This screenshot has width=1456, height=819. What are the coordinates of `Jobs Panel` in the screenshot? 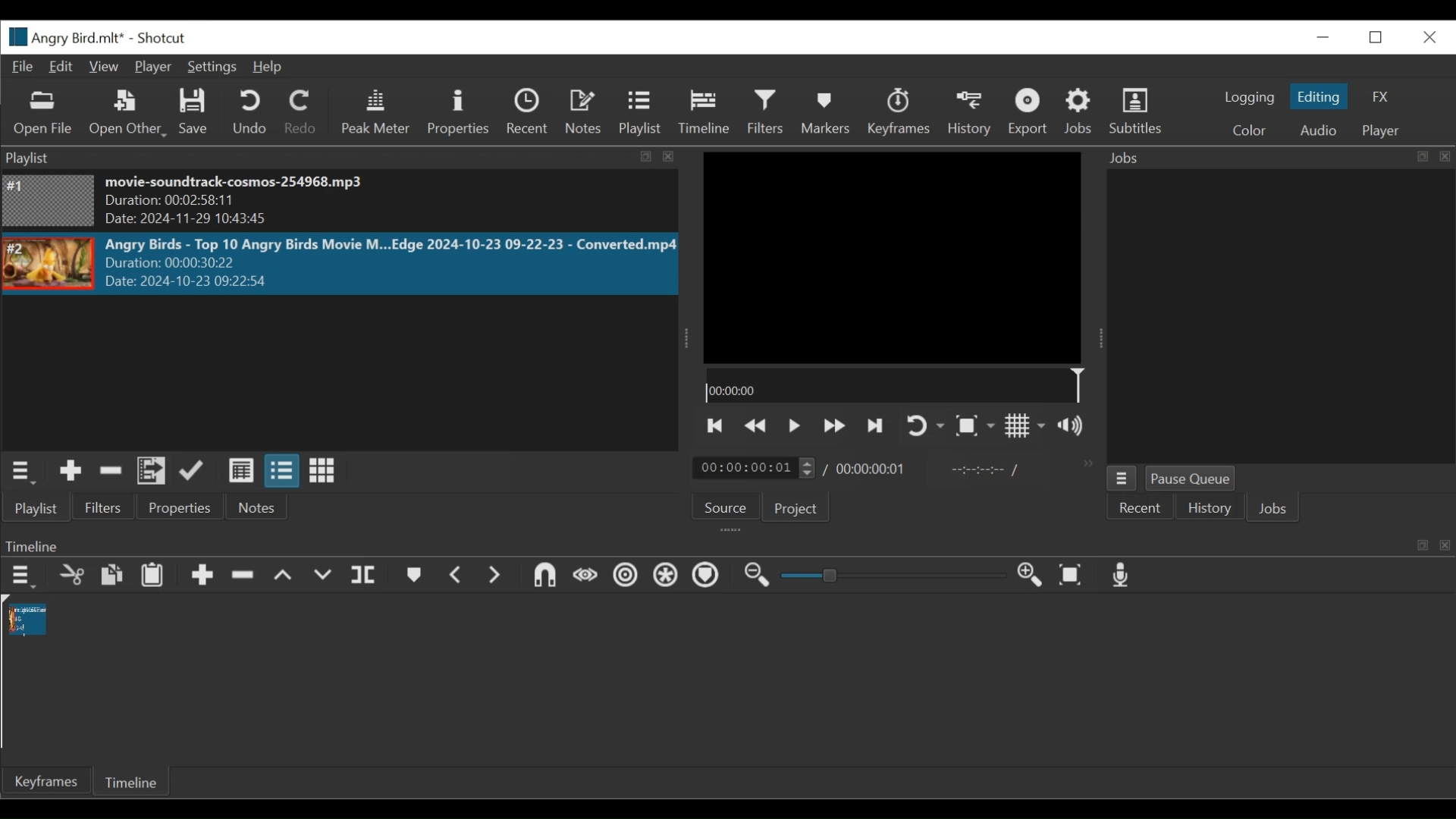 It's located at (1272, 158).